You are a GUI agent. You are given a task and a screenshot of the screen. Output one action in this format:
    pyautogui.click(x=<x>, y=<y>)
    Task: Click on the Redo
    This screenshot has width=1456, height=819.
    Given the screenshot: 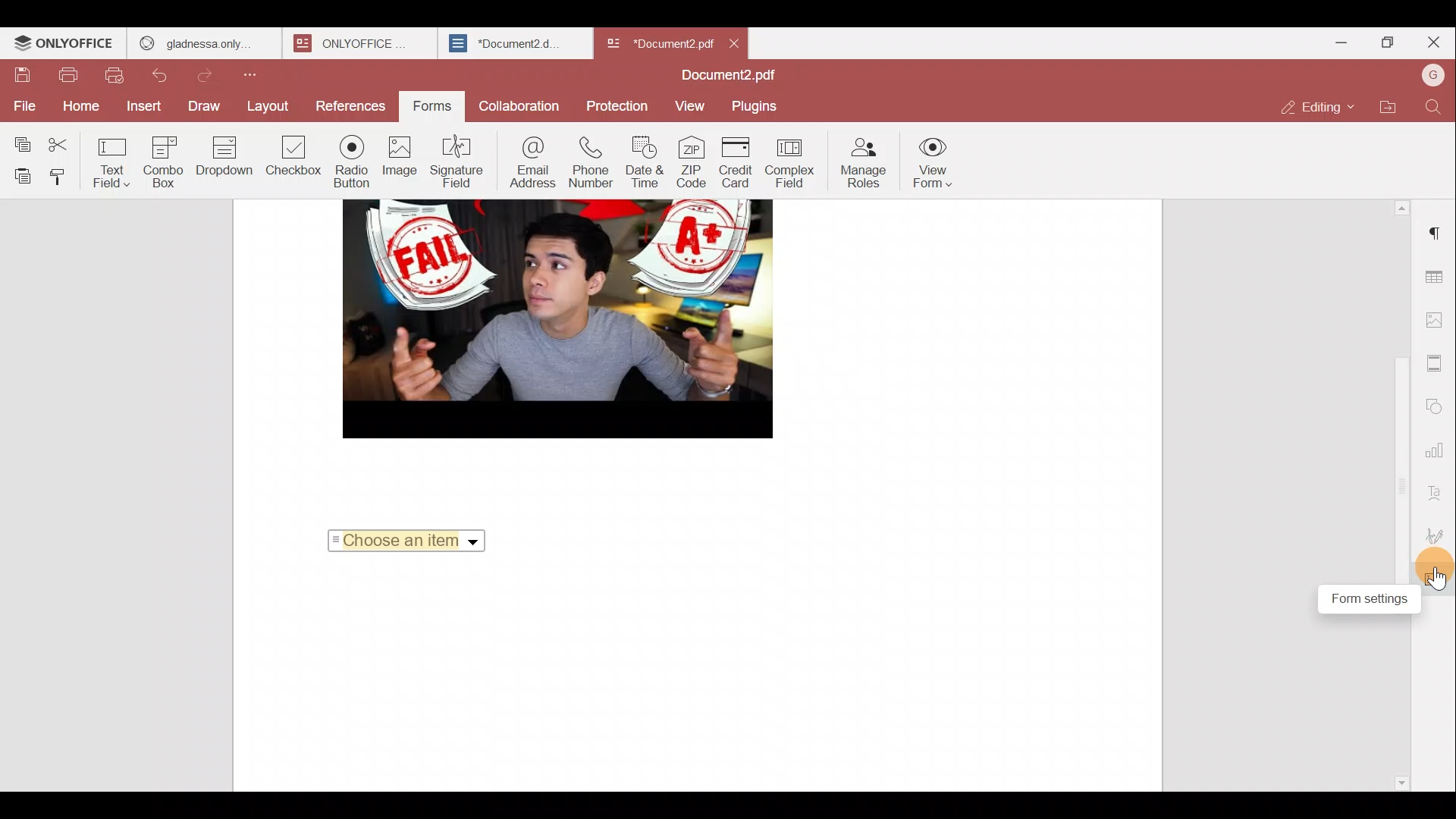 What is the action you would take?
    pyautogui.click(x=212, y=76)
    